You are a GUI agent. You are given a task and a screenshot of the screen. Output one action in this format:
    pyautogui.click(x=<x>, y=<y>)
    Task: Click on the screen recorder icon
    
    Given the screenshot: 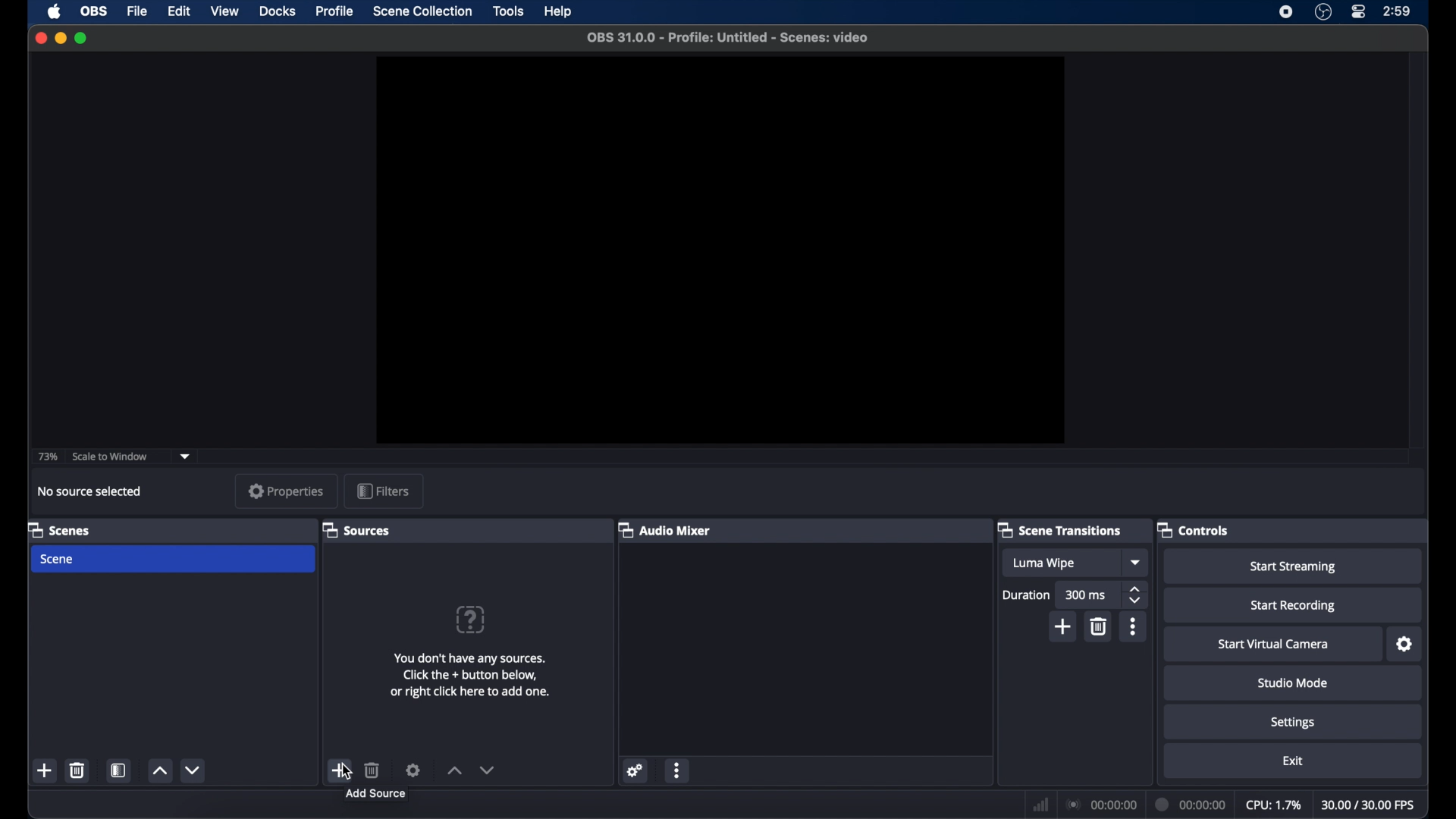 What is the action you would take?
    pyautogui.click(x=1287, y=12)
    